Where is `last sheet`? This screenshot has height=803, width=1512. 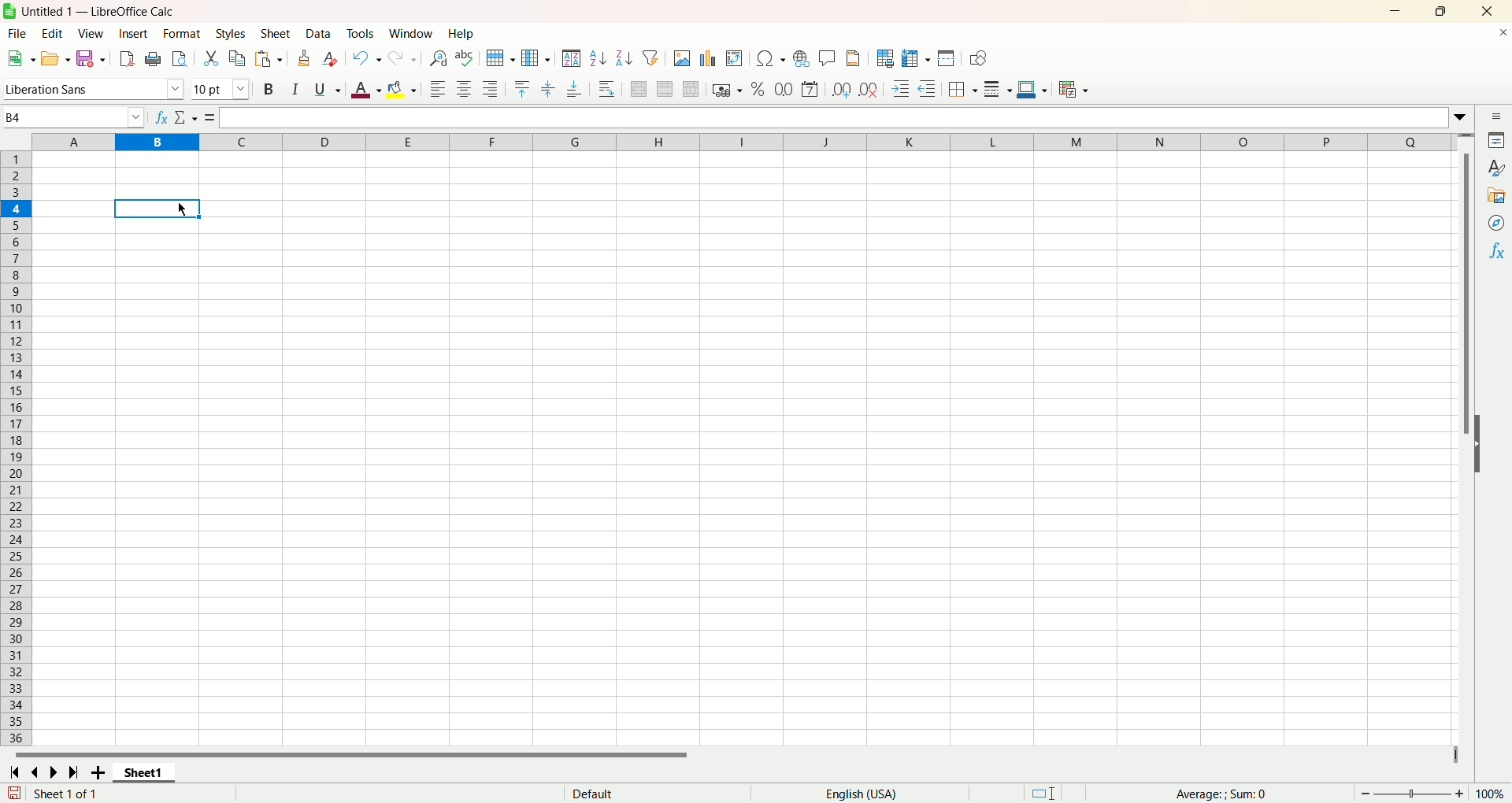 last sheet is located at coordinates (76, 772).